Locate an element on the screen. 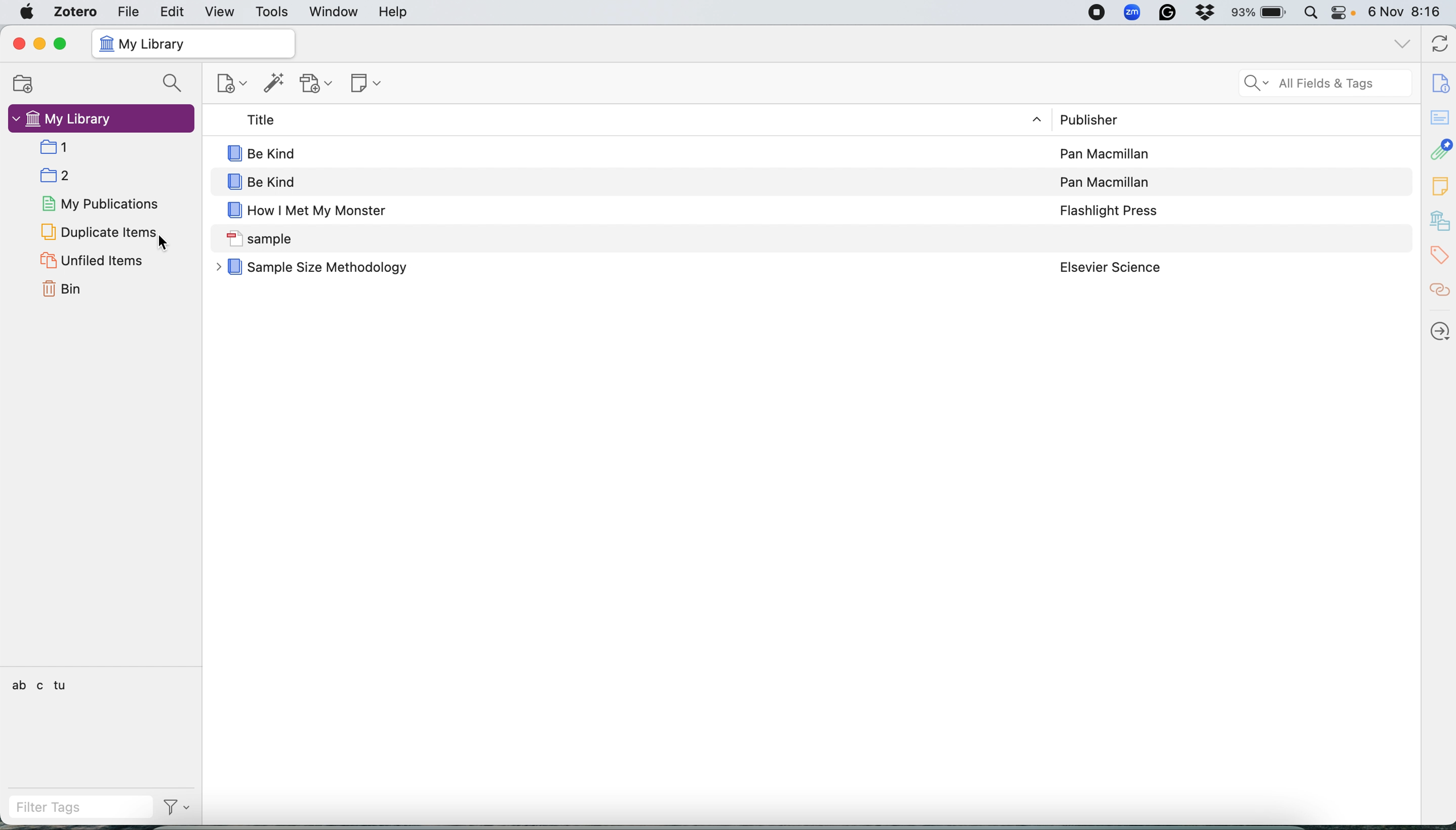  add a new item is located at coordinates (227, 83).